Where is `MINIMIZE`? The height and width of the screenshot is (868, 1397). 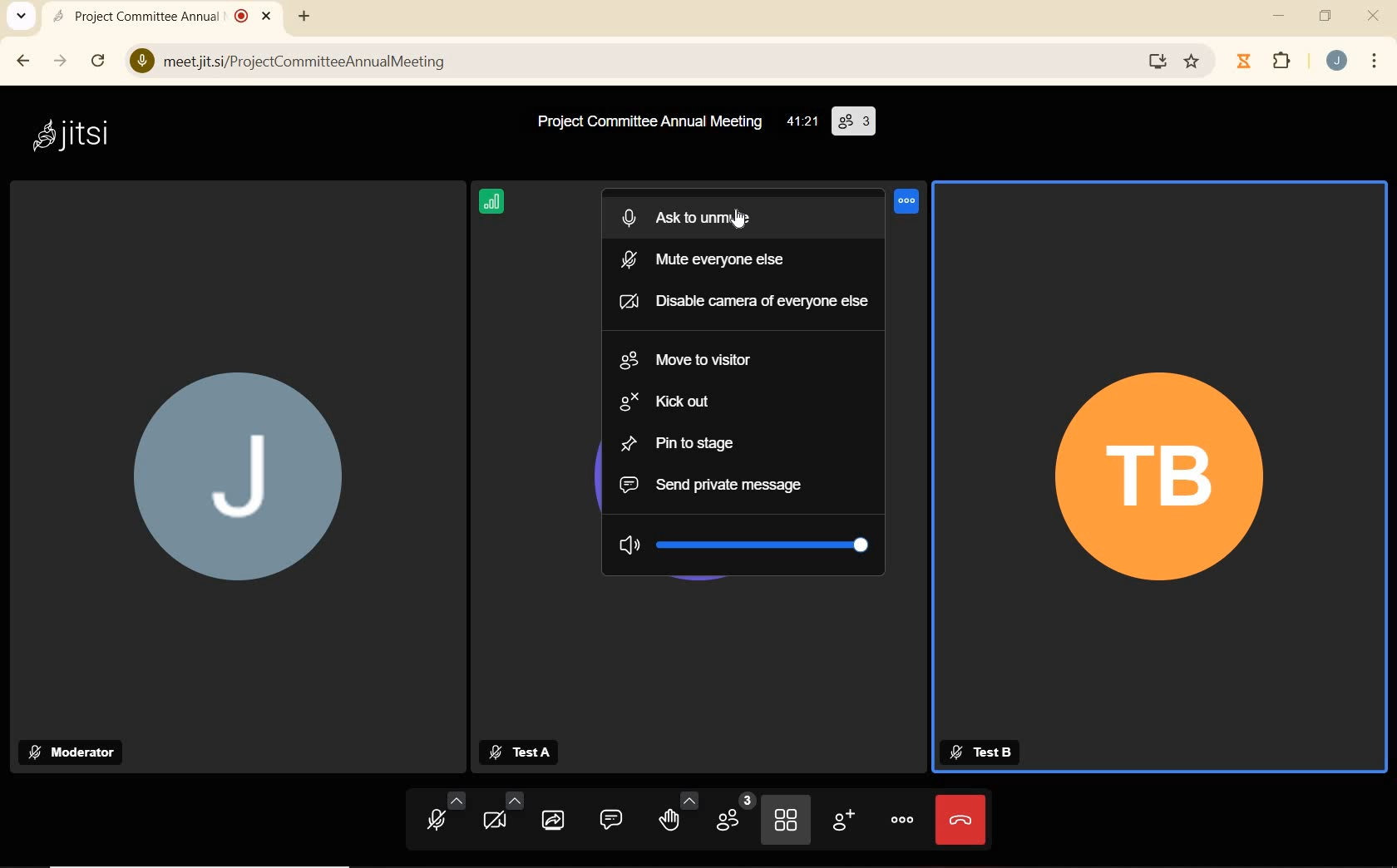
MINIMIZE is located at coordinates (1281, 16).